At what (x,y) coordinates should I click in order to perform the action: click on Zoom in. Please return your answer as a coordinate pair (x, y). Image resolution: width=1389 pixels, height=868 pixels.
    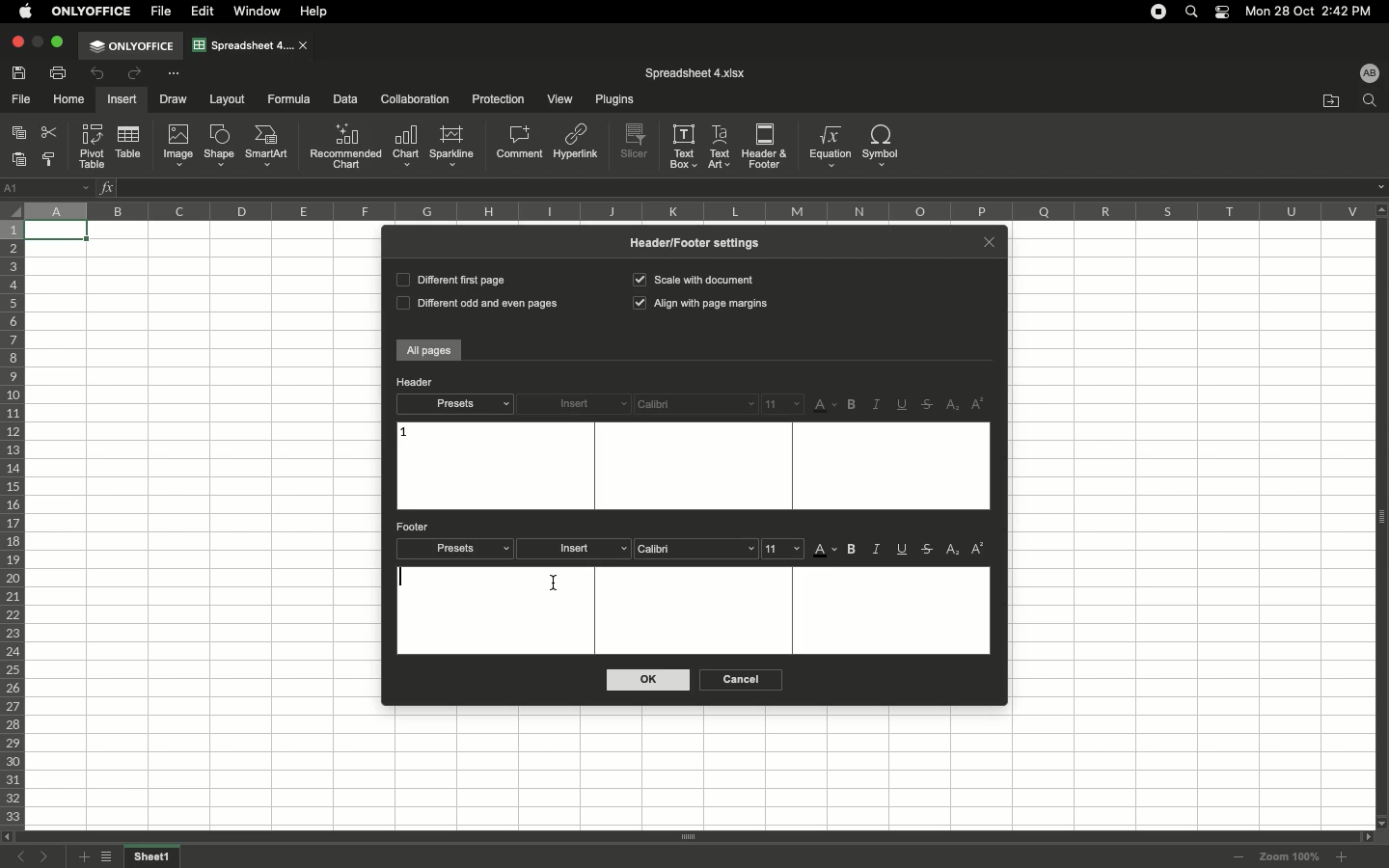
    Looking at the image, I should click on (1341, 857).